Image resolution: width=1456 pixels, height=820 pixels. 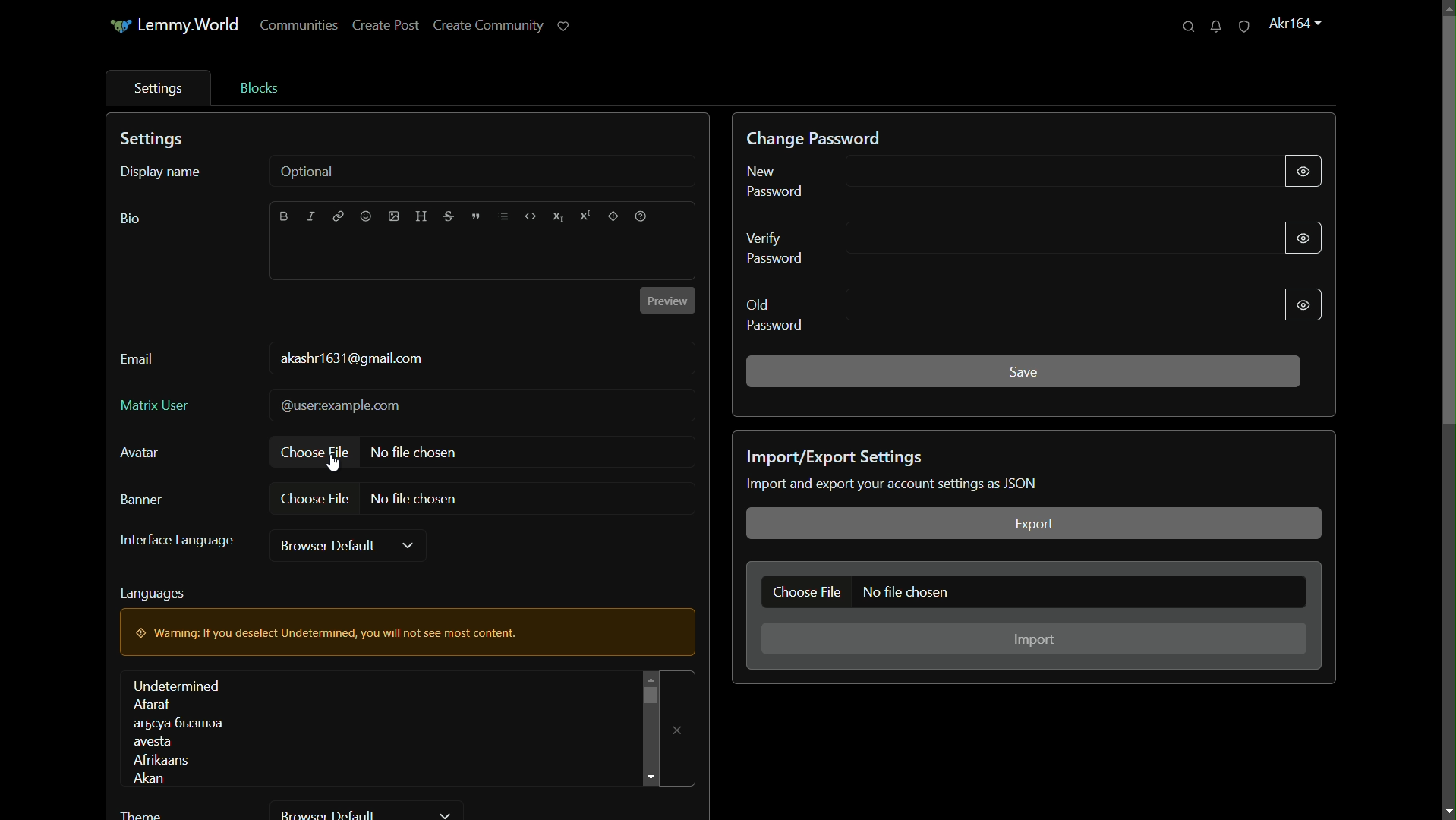 What do you see at coordinates (155, 88) in the screenshot?
I see `settings tab` at bounding box center [155, 88].